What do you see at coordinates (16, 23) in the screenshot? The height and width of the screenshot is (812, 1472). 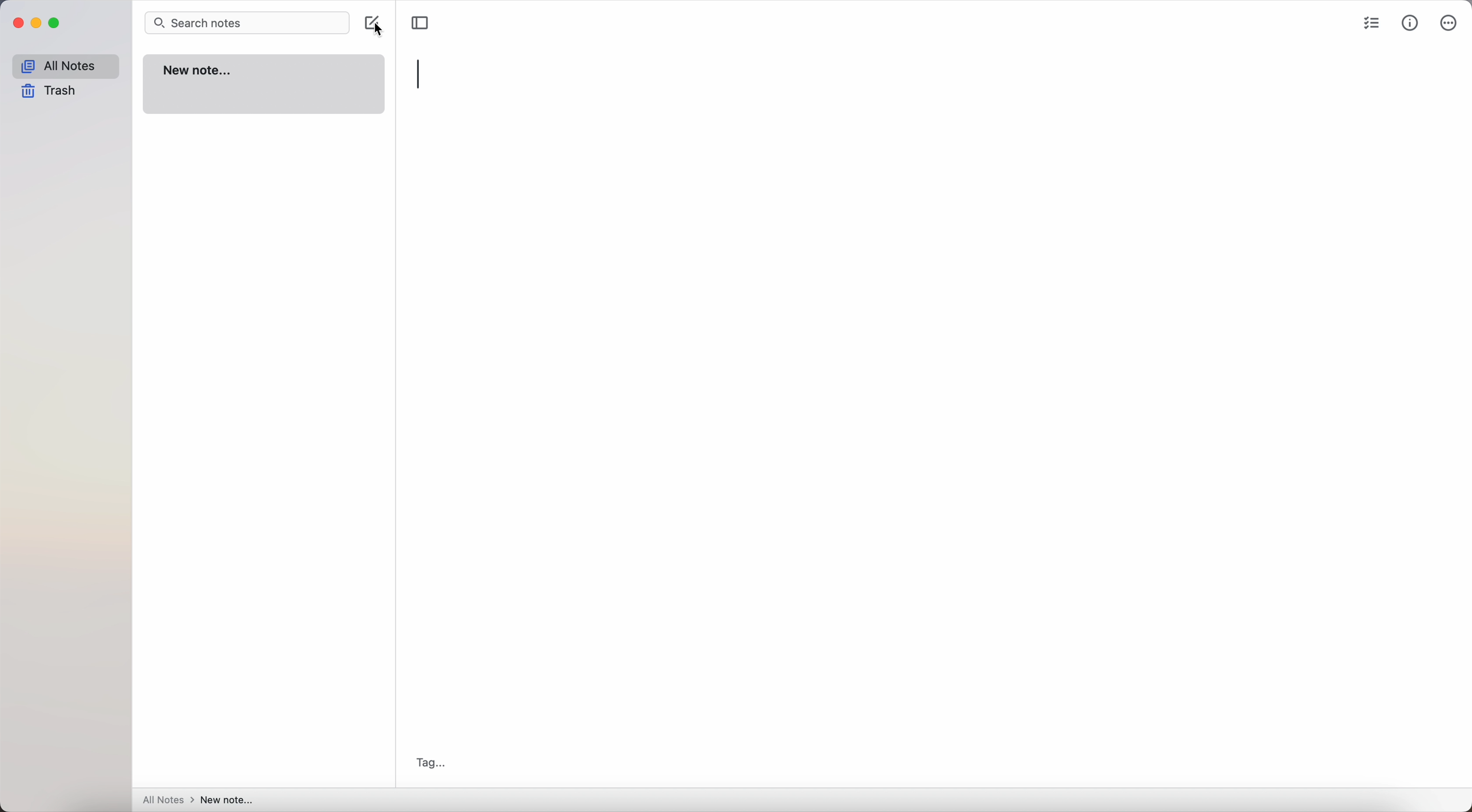 I see `close Simplenote` at bounding box center [16, 23].